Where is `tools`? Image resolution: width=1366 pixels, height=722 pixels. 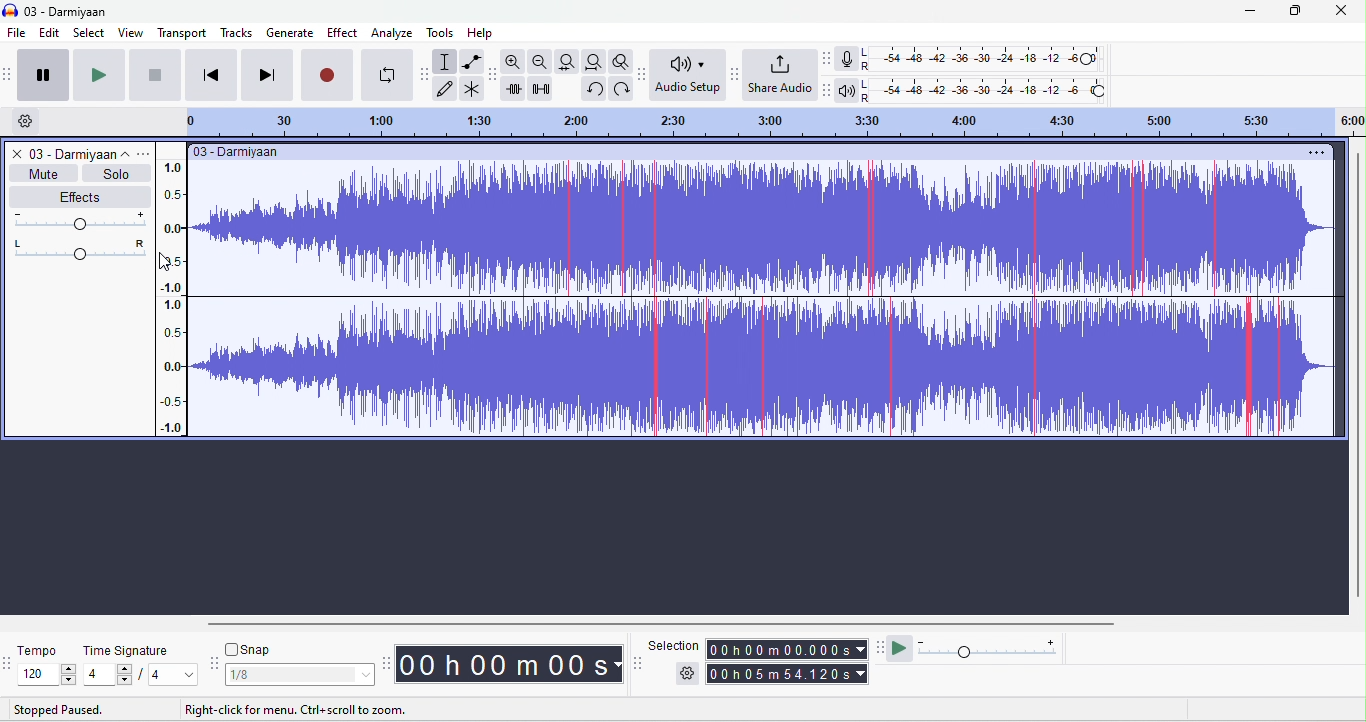 tools is located at coordinates (440, 34).